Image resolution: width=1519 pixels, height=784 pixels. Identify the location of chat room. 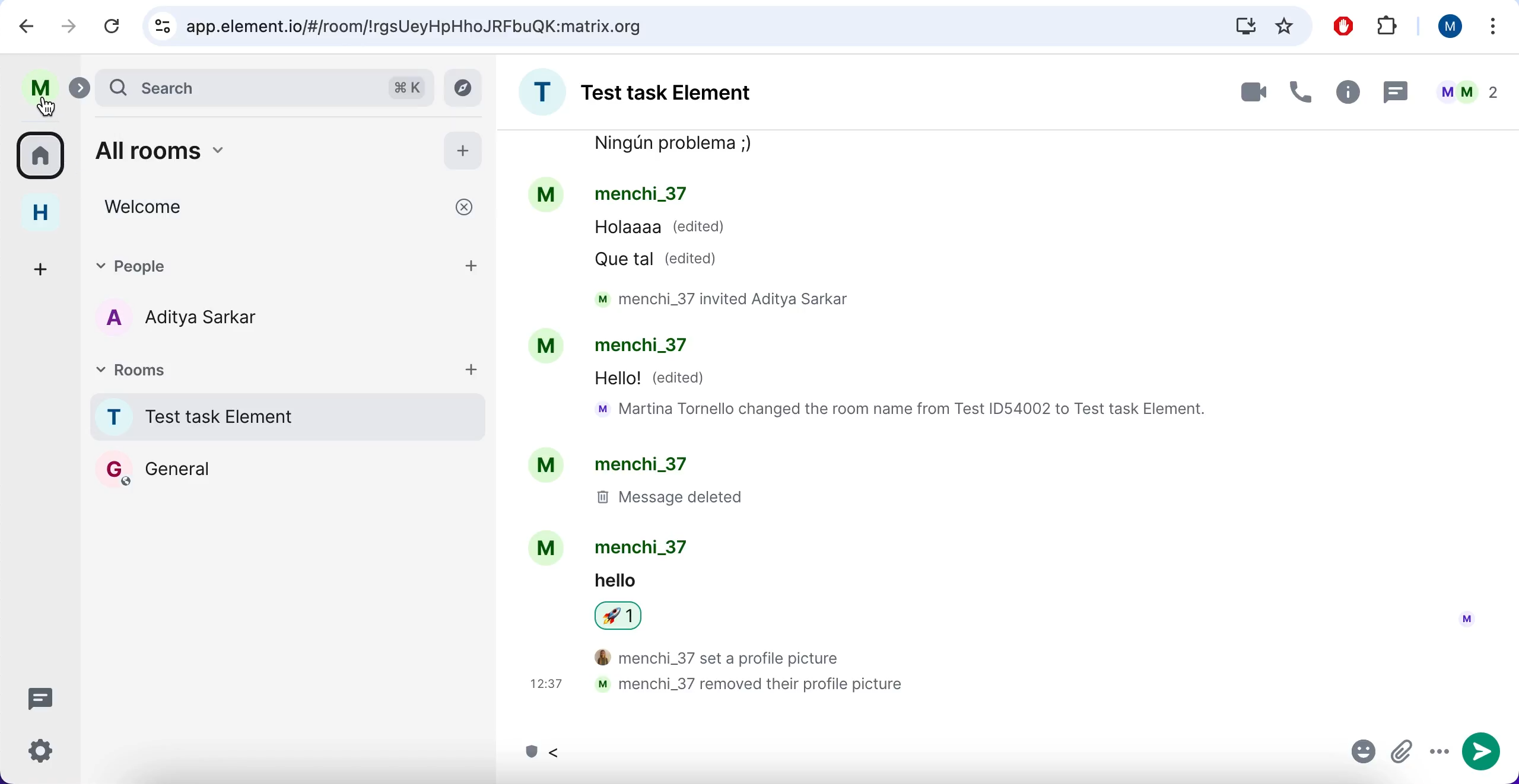
(1000, 425).